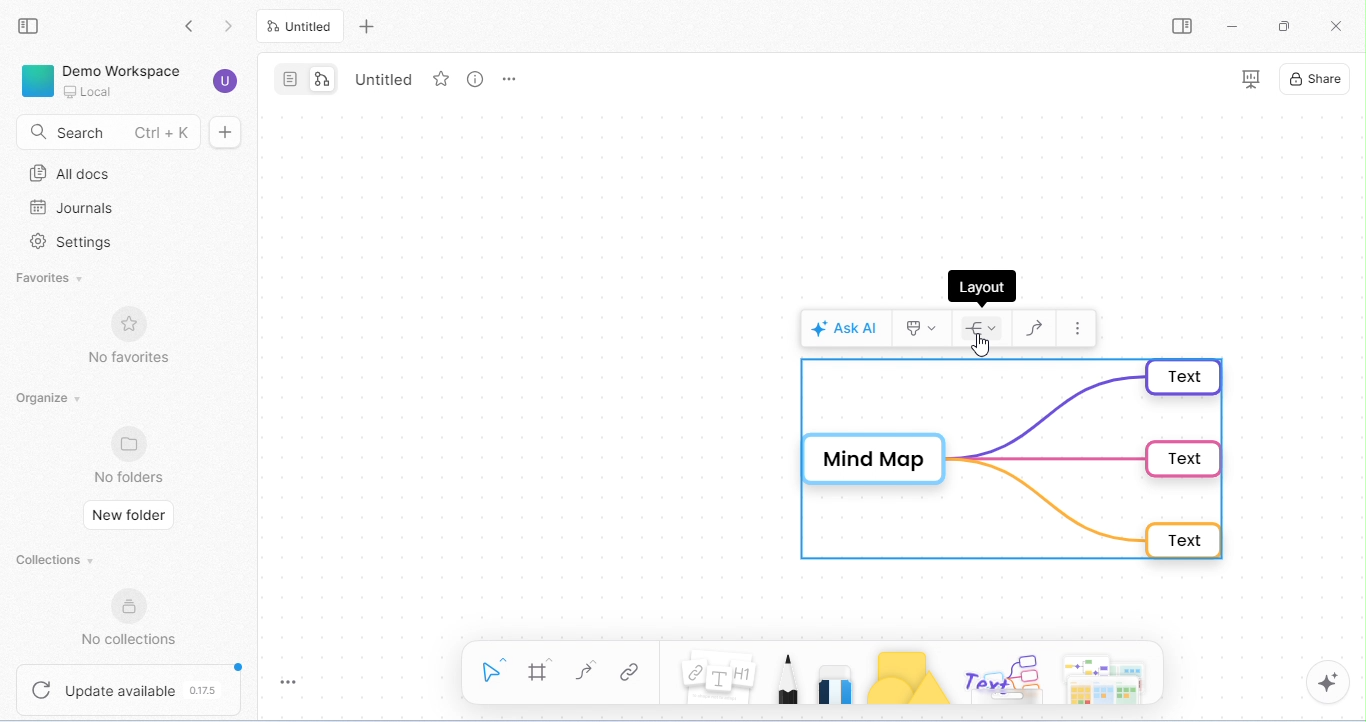 The image size is (1366, 722). Describe the element at coordinates (1187, 27) in the screenshot. I see `open sidebar` at that location.